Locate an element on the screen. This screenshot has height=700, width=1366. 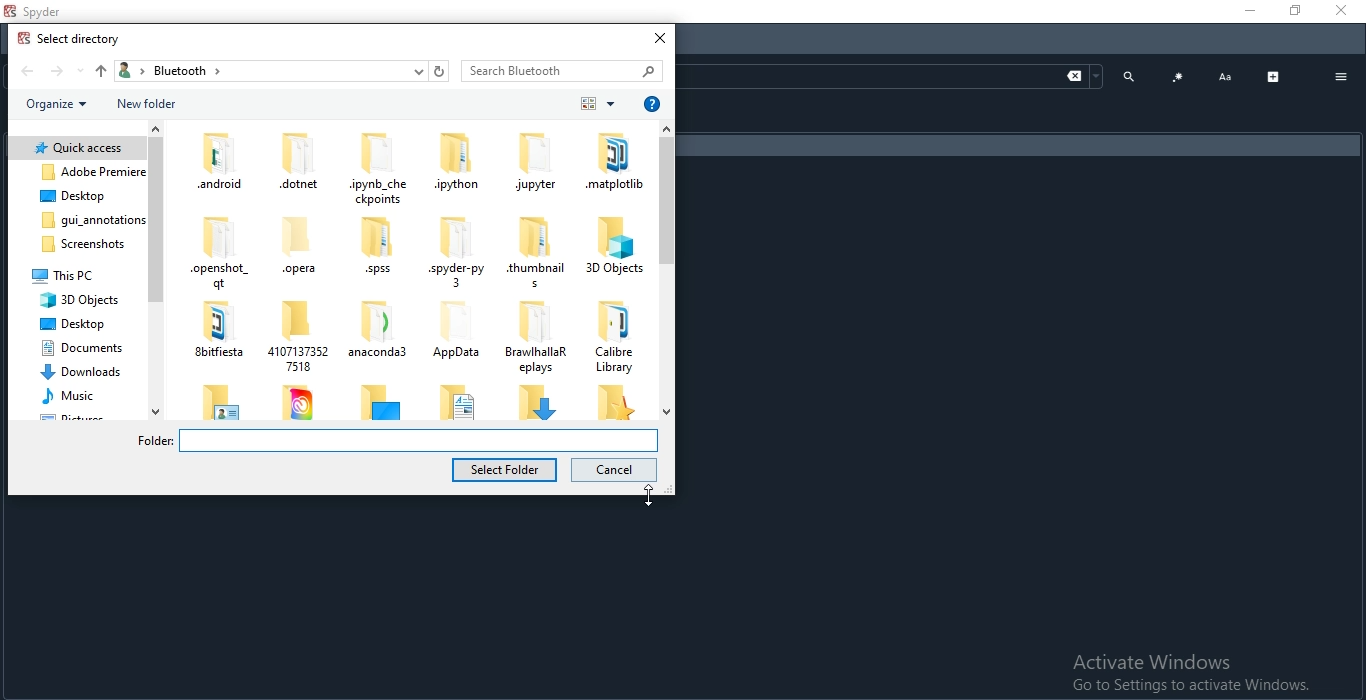
spyder is located at coordinates (457, 252).